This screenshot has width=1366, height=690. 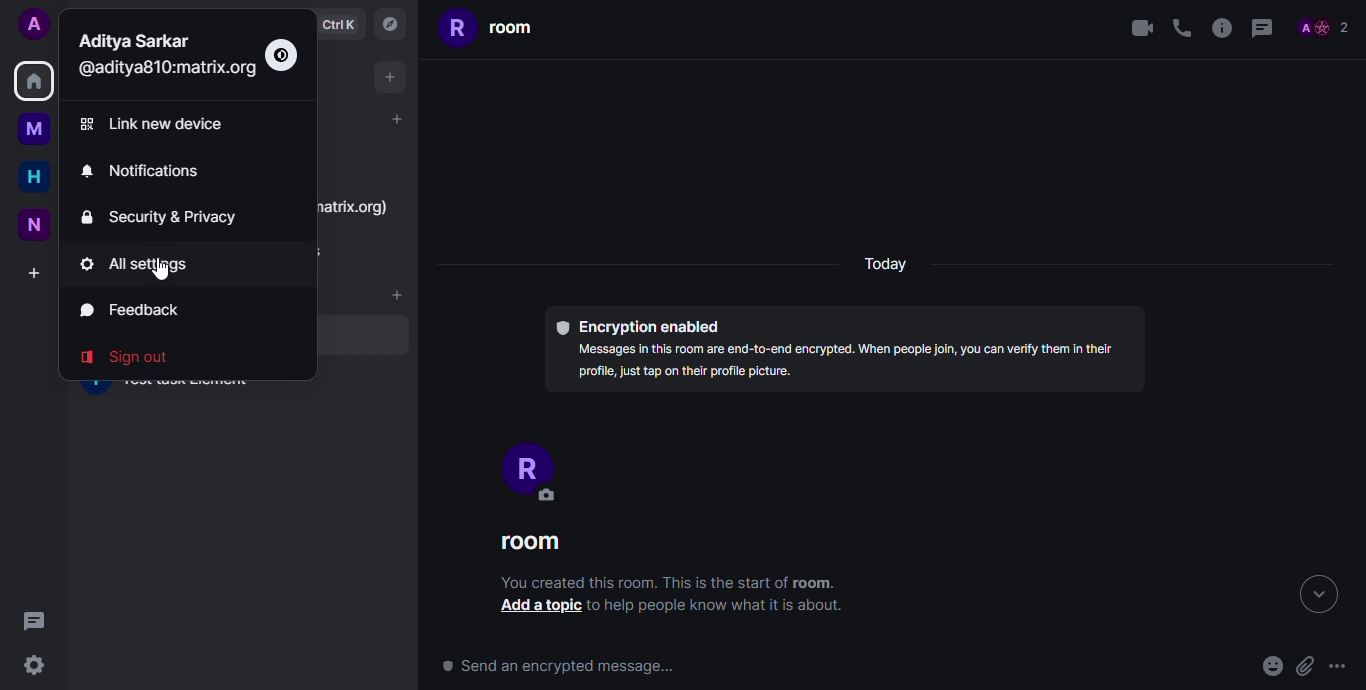 I want to click on profile, so click(x=524, y=468).